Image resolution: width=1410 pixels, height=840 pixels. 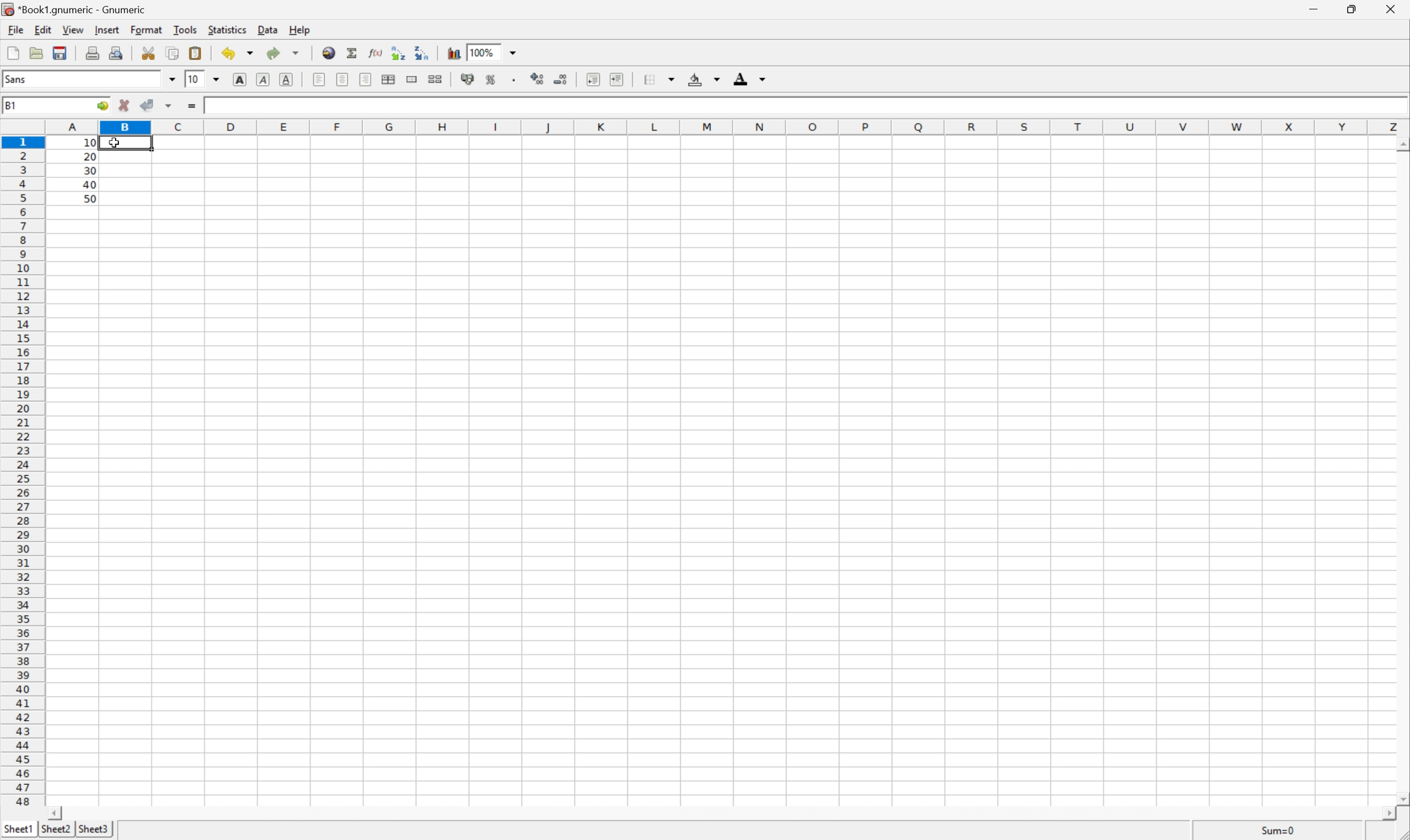 What do you see at coordinates (1385, 814) in the screenshot?
I see `Scroll Right` at bounding box center [1385, 814].